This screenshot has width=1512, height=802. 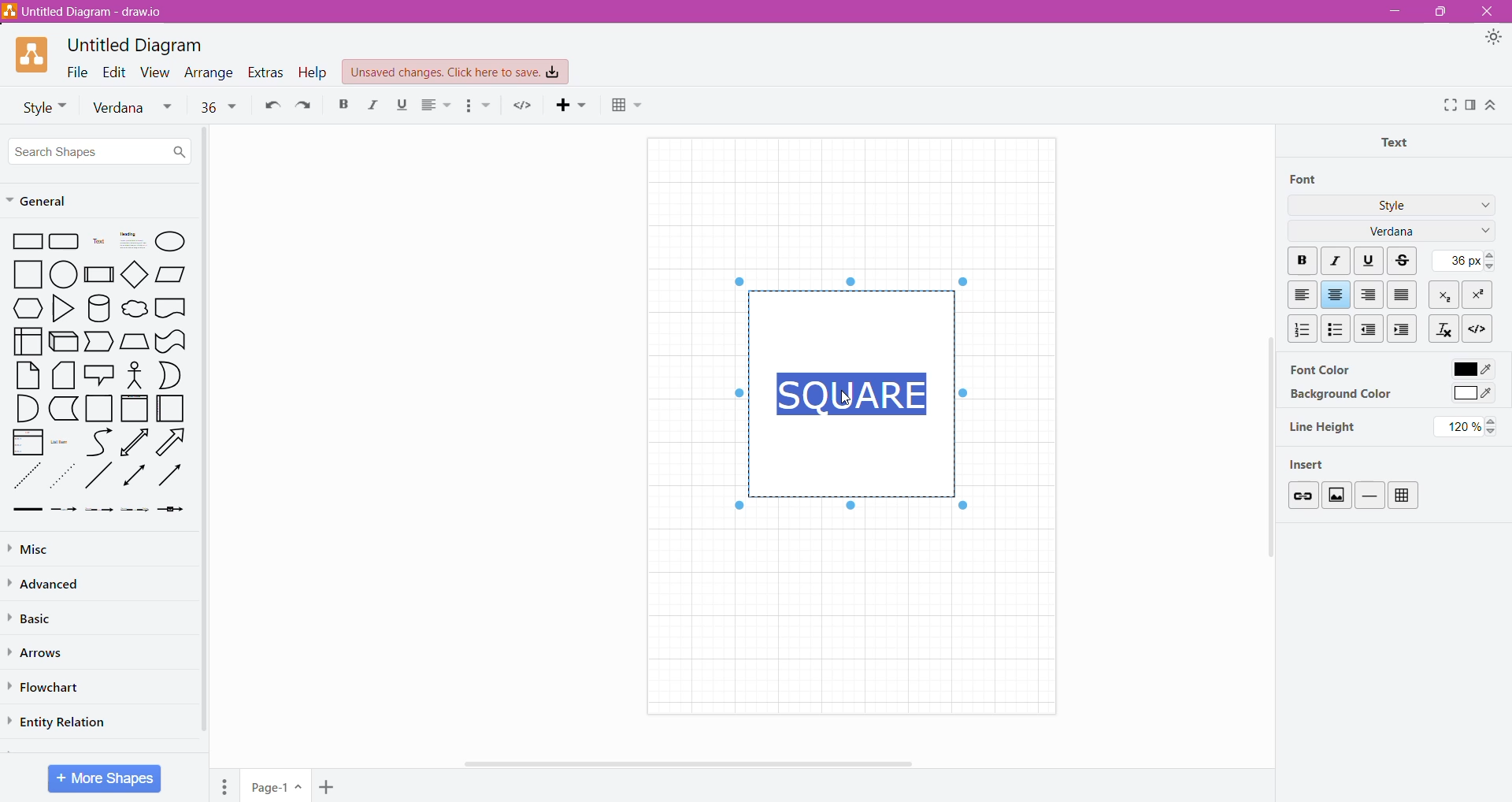 I want to click on Thin Arrow, so click(x=98, y=510).